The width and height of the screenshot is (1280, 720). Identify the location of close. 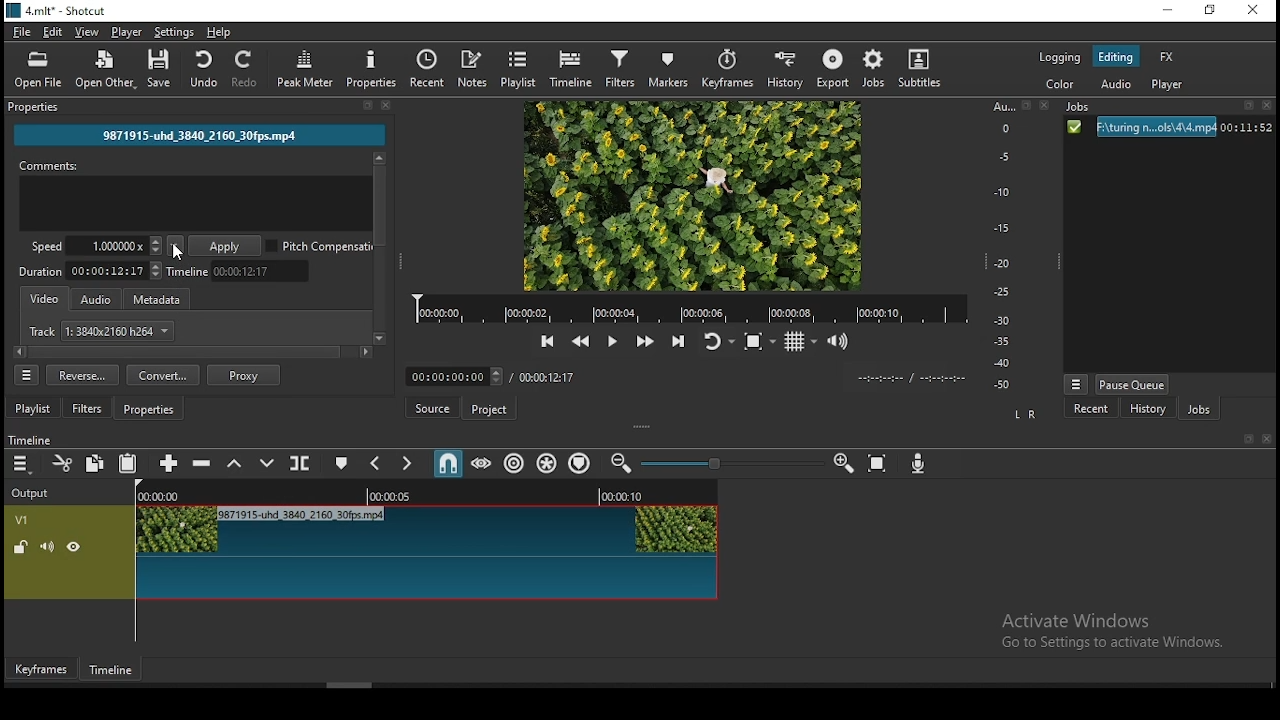
(1270, 107).